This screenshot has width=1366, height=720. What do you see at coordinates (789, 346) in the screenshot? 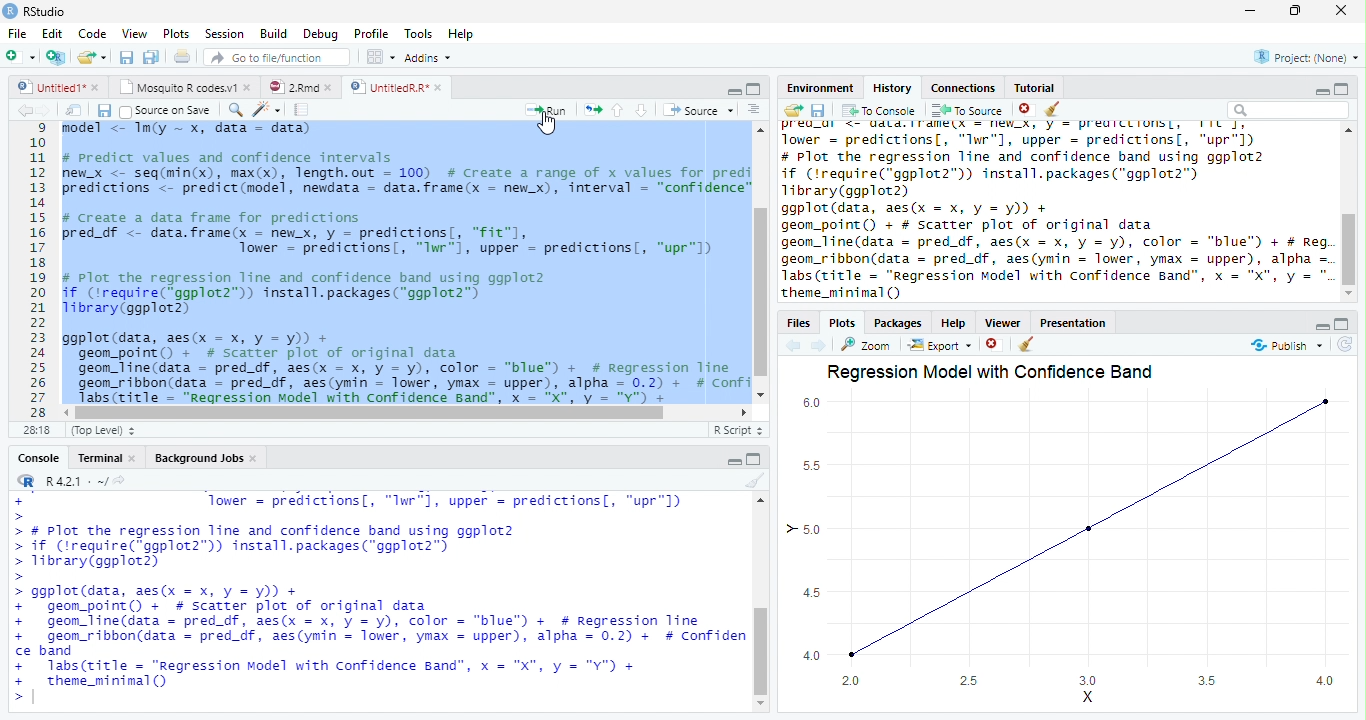
I see `Back` at bounding box center [789, 346].